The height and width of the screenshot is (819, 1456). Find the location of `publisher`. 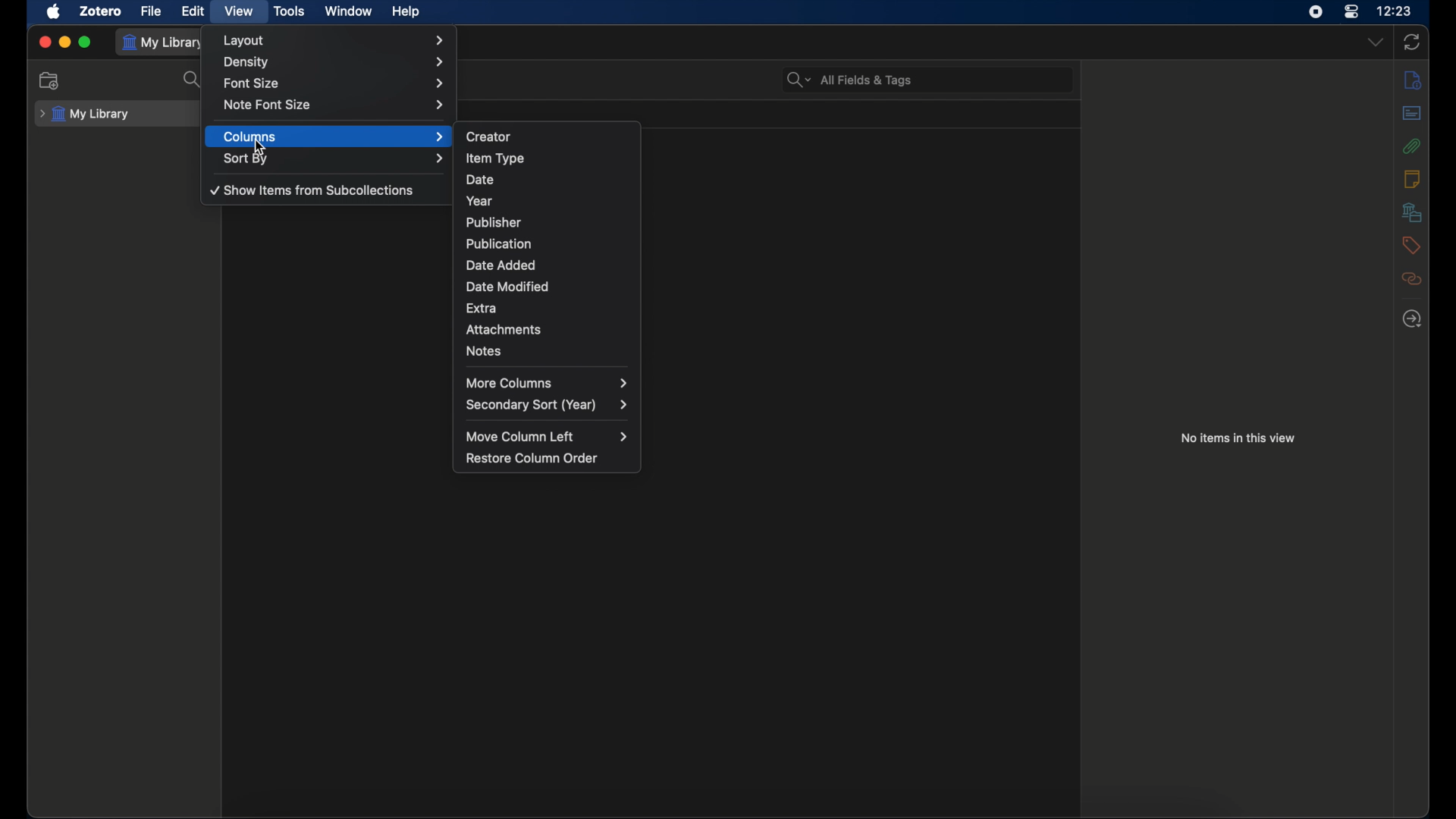

publisher is located at coordinates (493, 222).